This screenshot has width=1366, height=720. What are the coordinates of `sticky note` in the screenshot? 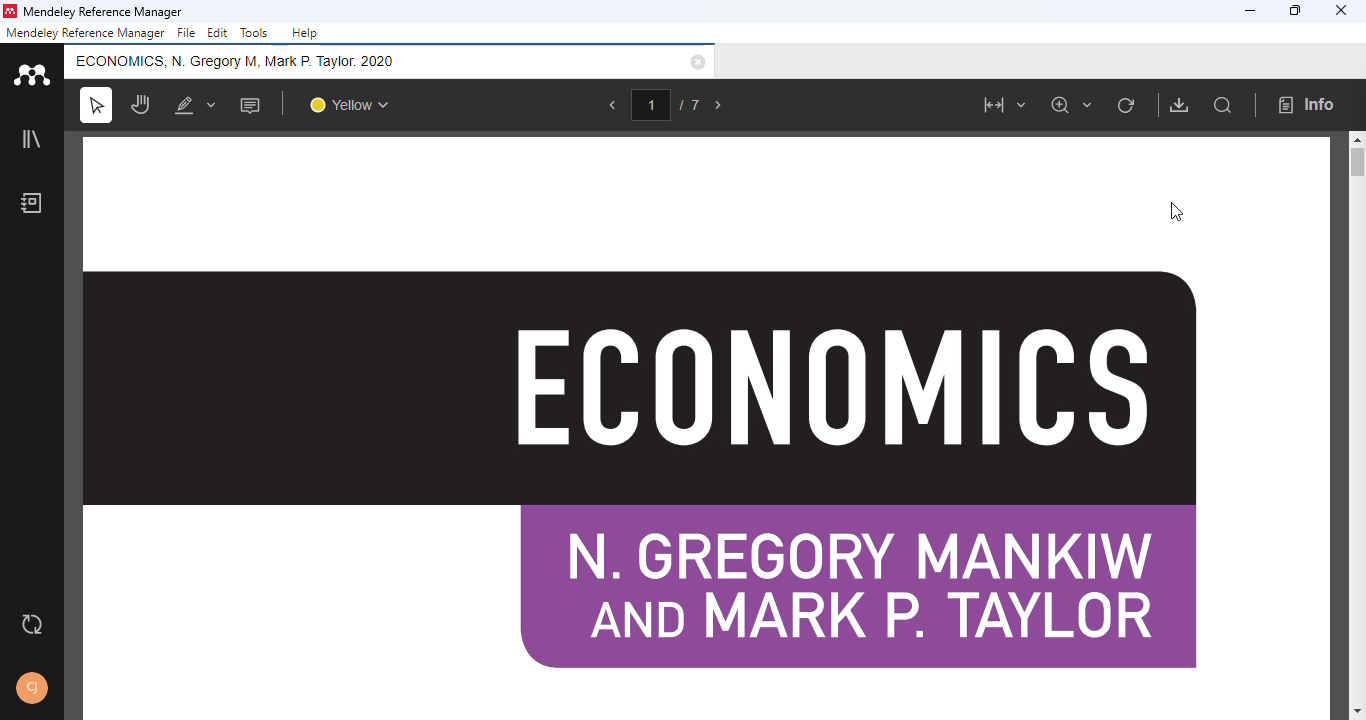 It's located at (251, 105).